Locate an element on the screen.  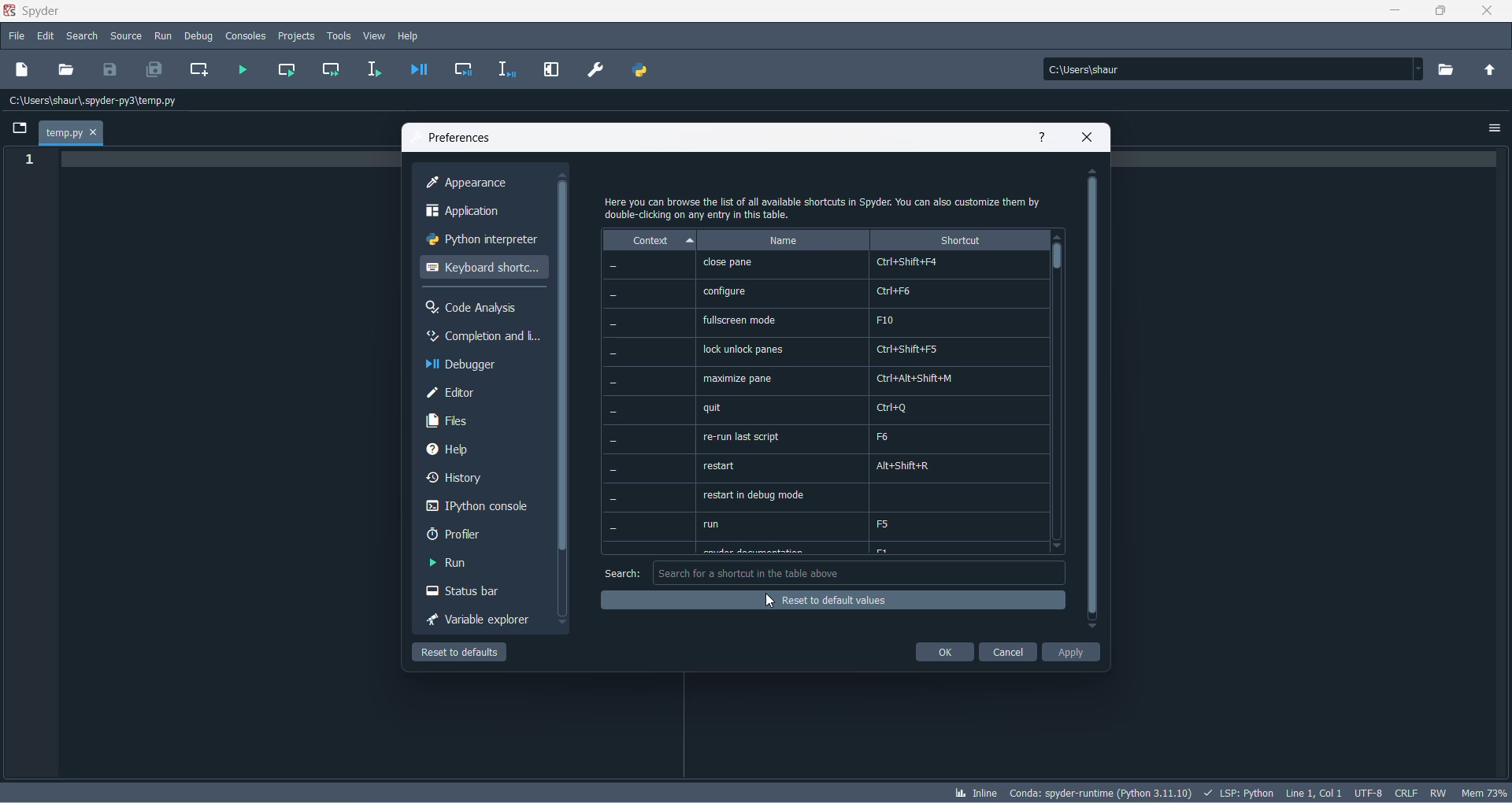
help is located at coordinates (409, 36).